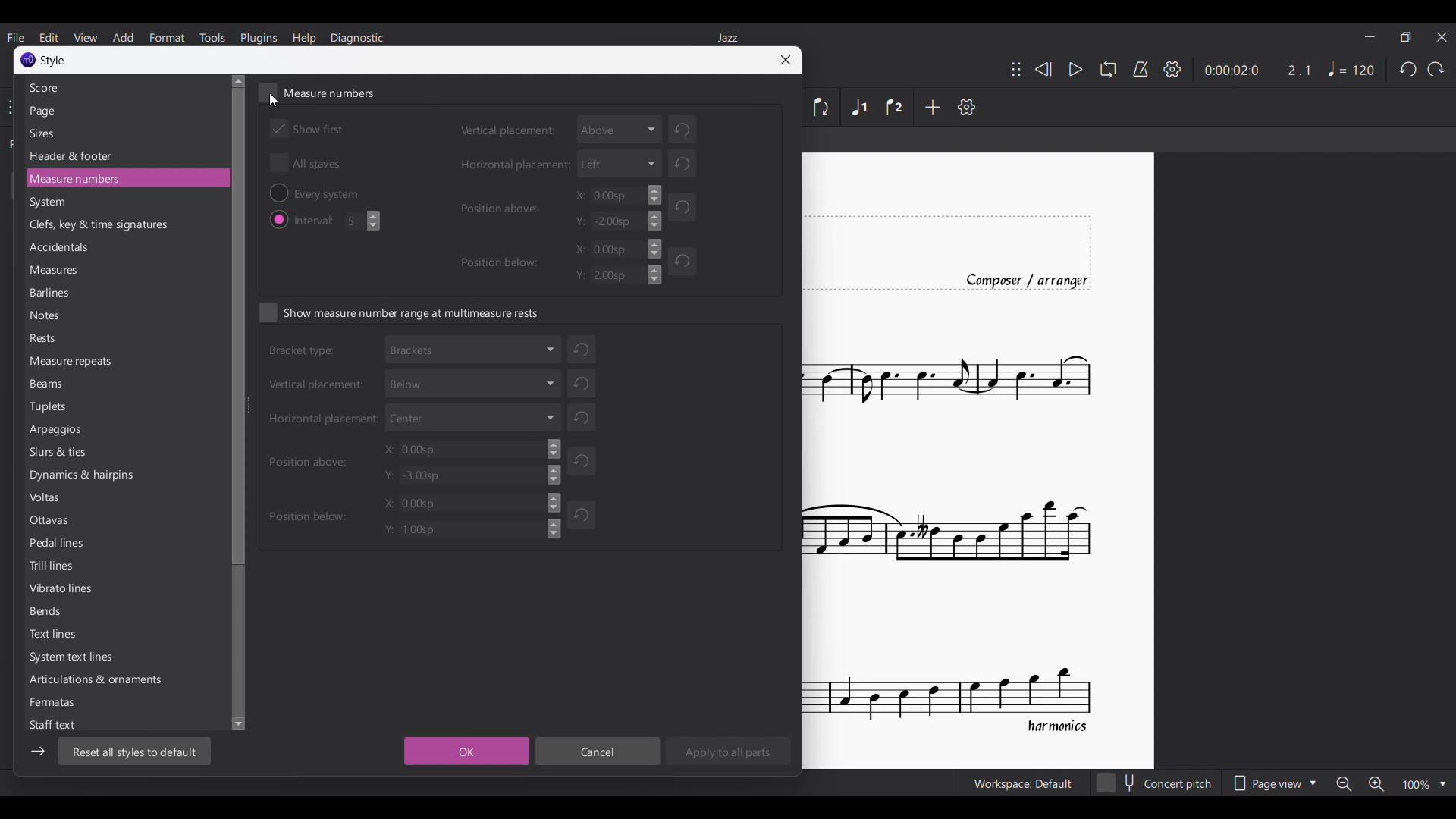  What do you see at coordinates (108, 178) in the screenshot?
I see `Measure` at bounding box center [108, 178].